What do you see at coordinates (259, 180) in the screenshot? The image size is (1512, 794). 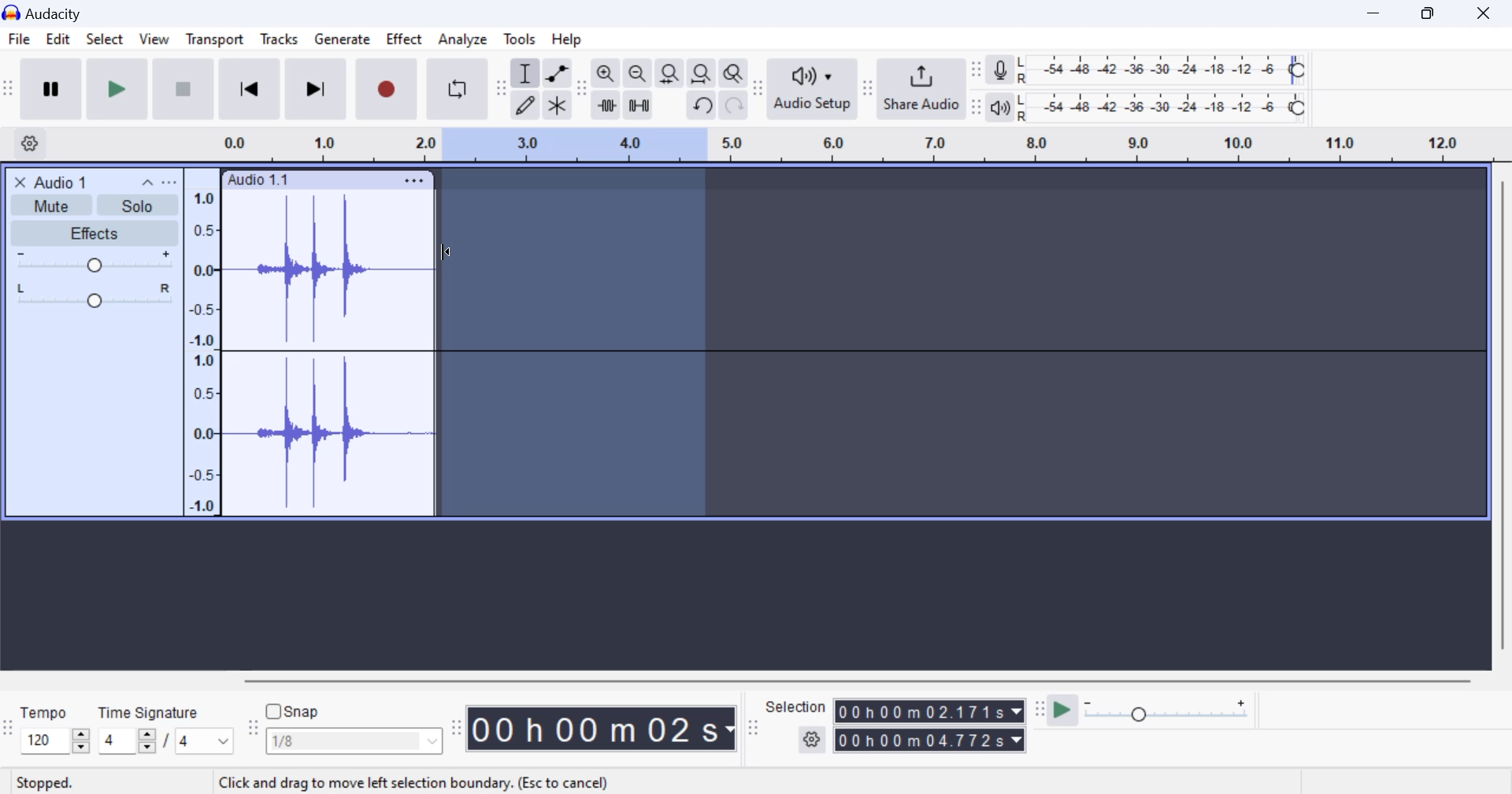 I see `Clip Label` at bounding box center [259, 180].